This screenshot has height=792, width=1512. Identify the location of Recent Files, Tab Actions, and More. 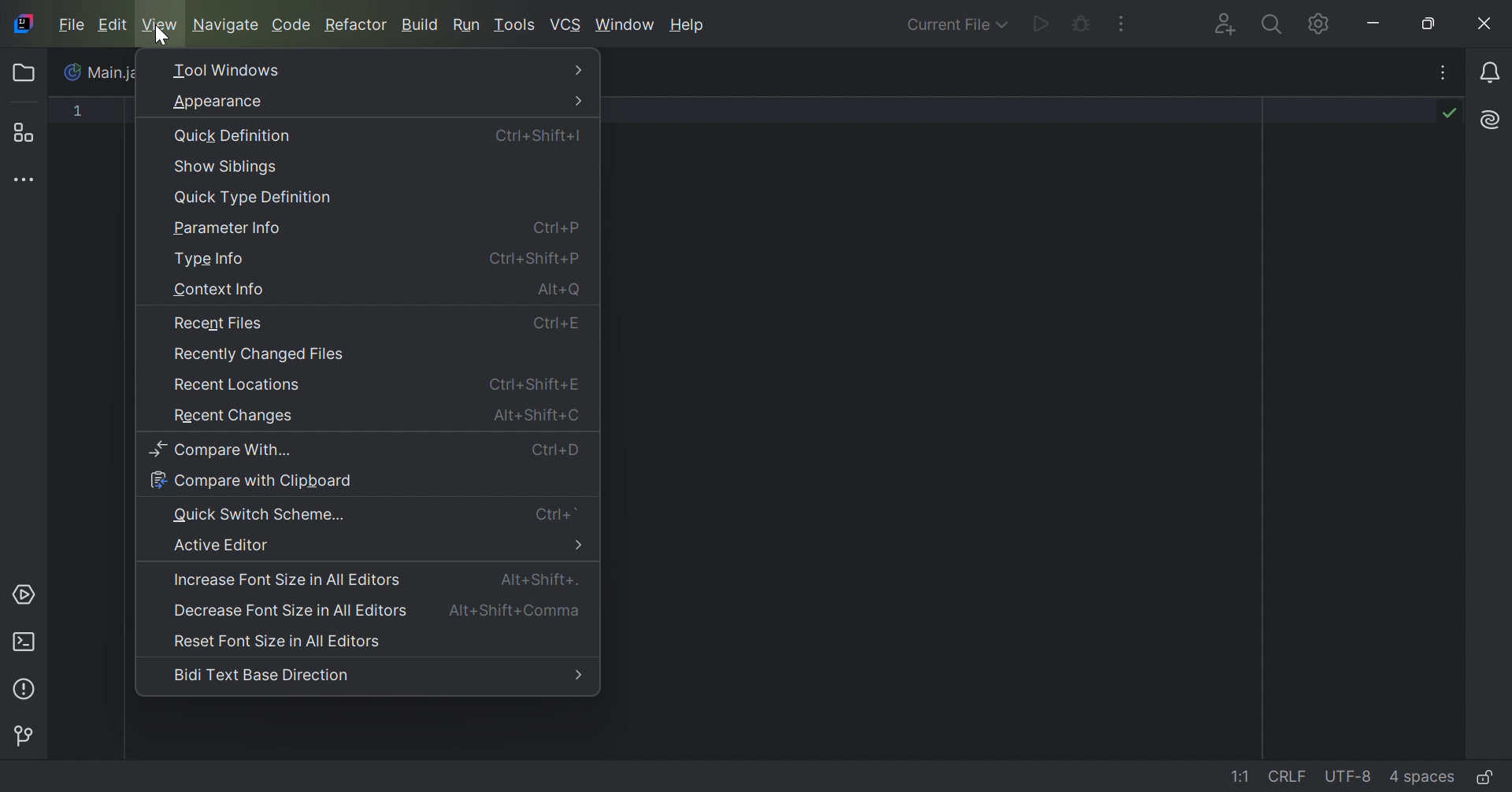
(1442, 76).